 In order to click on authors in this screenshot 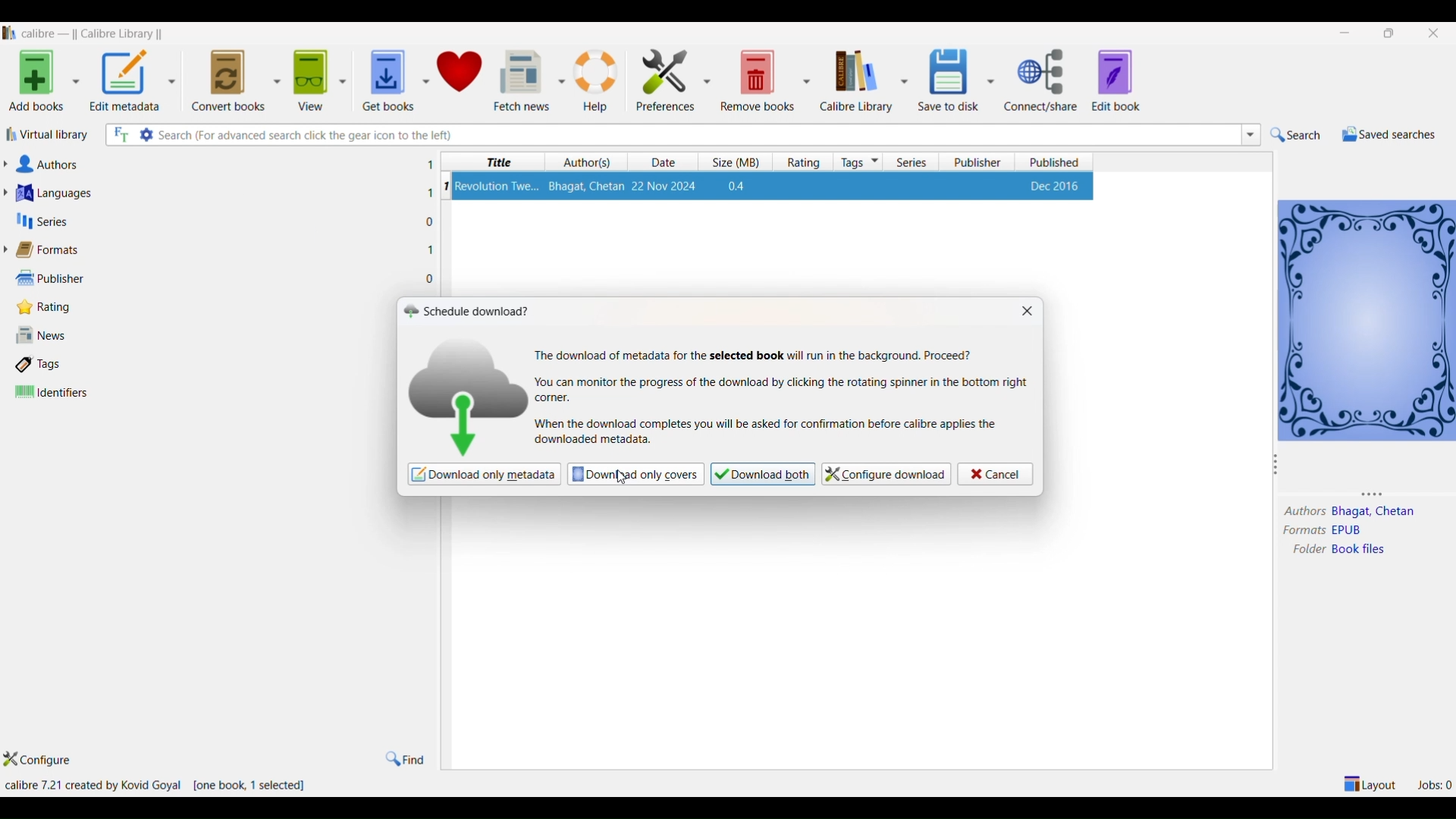, I will do `click(588, 162)`.